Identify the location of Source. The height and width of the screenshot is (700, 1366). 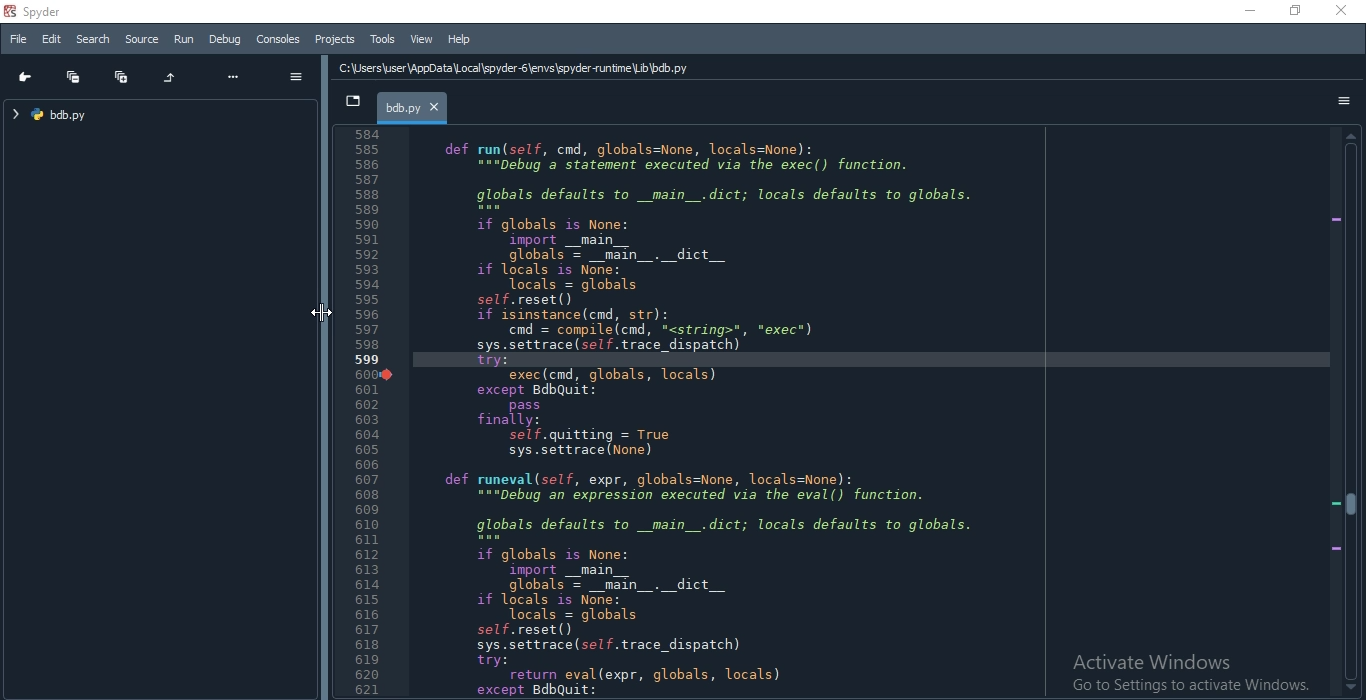
(141, 40).